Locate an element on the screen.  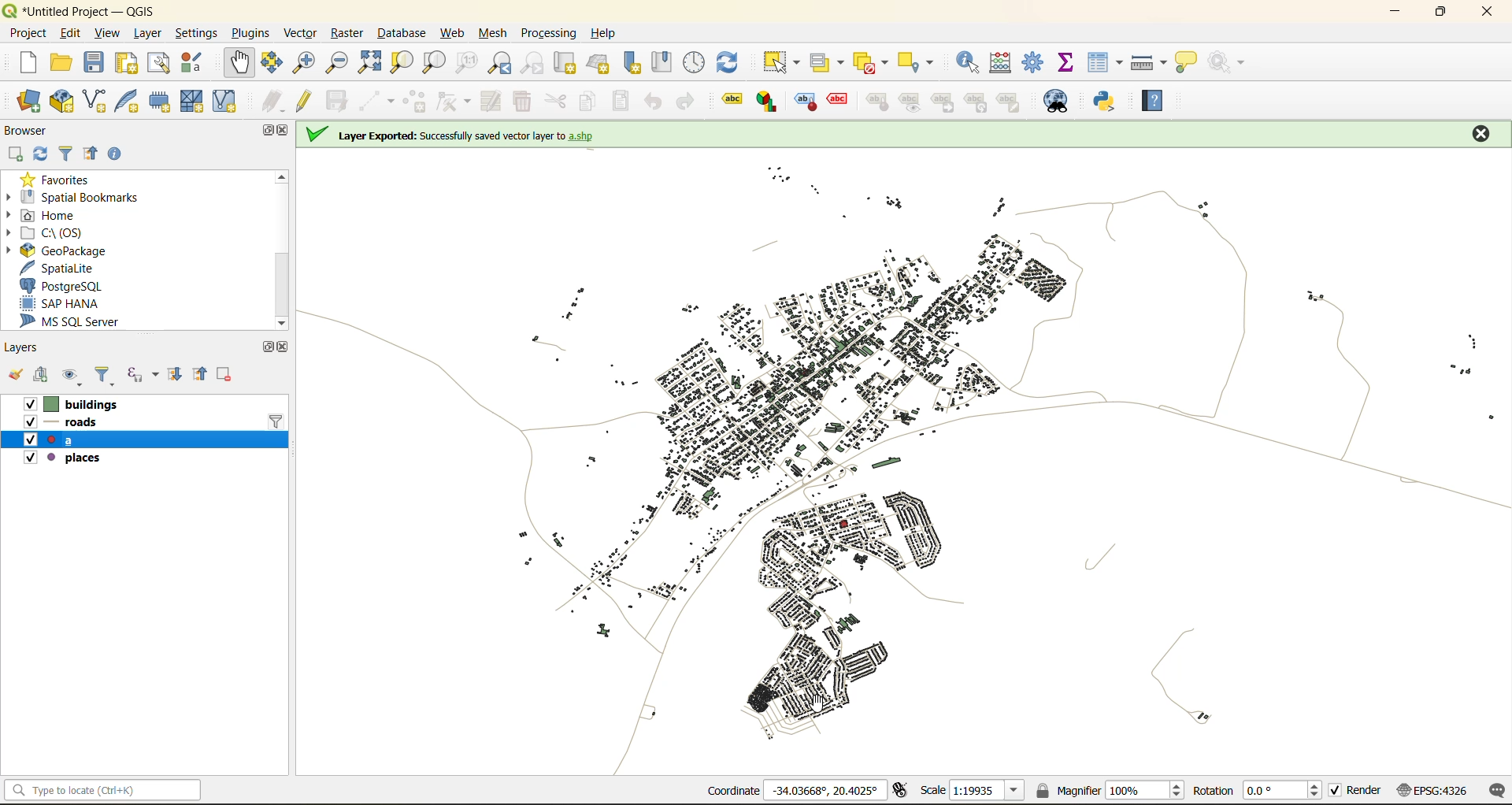
new spatialite is located at coordinates (128, 99).